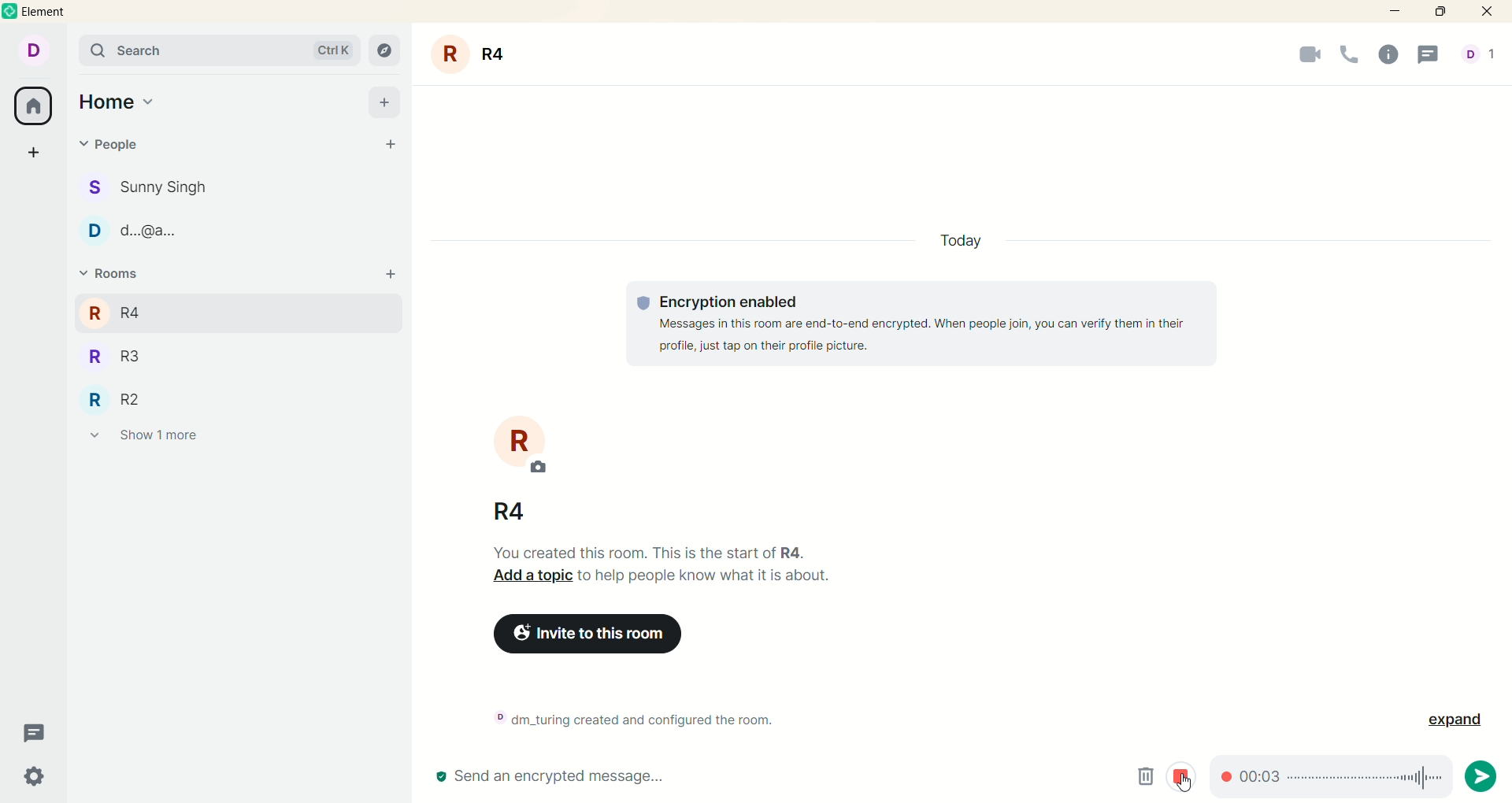 This screenshot has height=803, width=1512. What do you see at coordinates (1392, 56) in the screenshot?
I see `room info` at bounding box center [1392, 56].